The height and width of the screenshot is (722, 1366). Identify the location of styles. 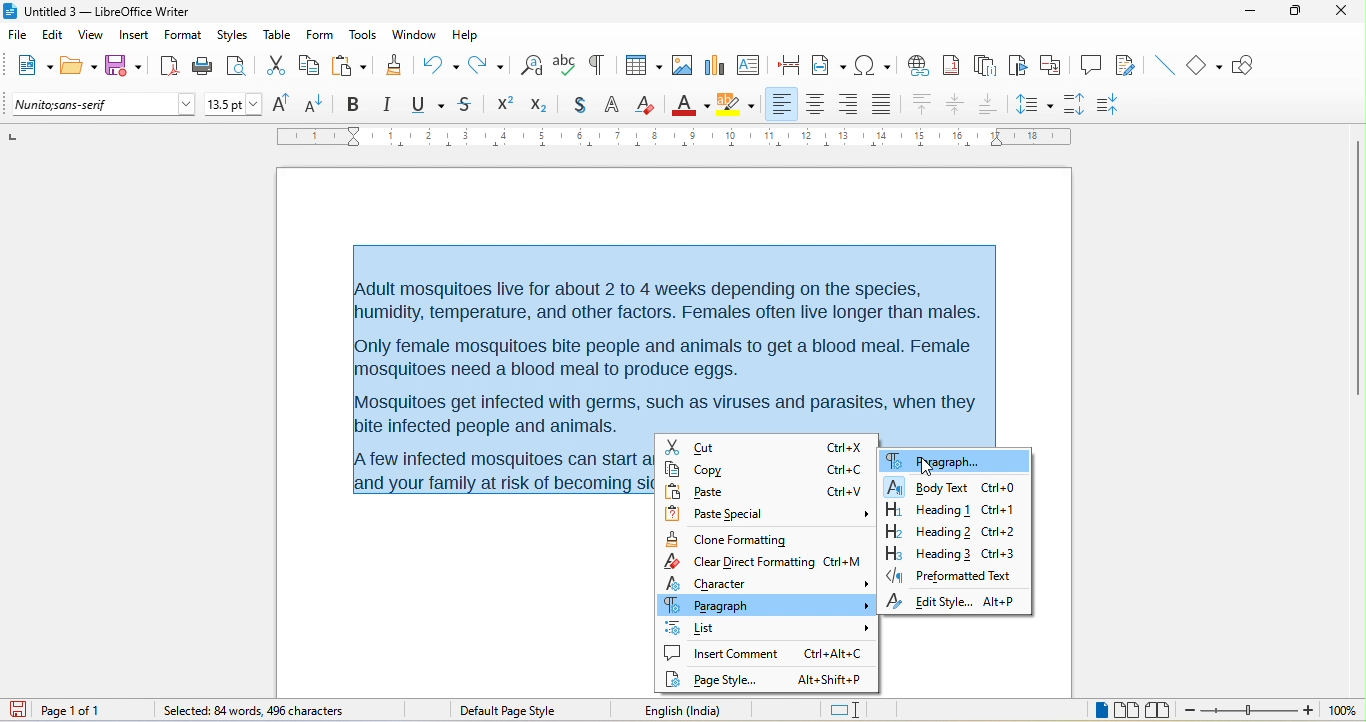
(234, 36).